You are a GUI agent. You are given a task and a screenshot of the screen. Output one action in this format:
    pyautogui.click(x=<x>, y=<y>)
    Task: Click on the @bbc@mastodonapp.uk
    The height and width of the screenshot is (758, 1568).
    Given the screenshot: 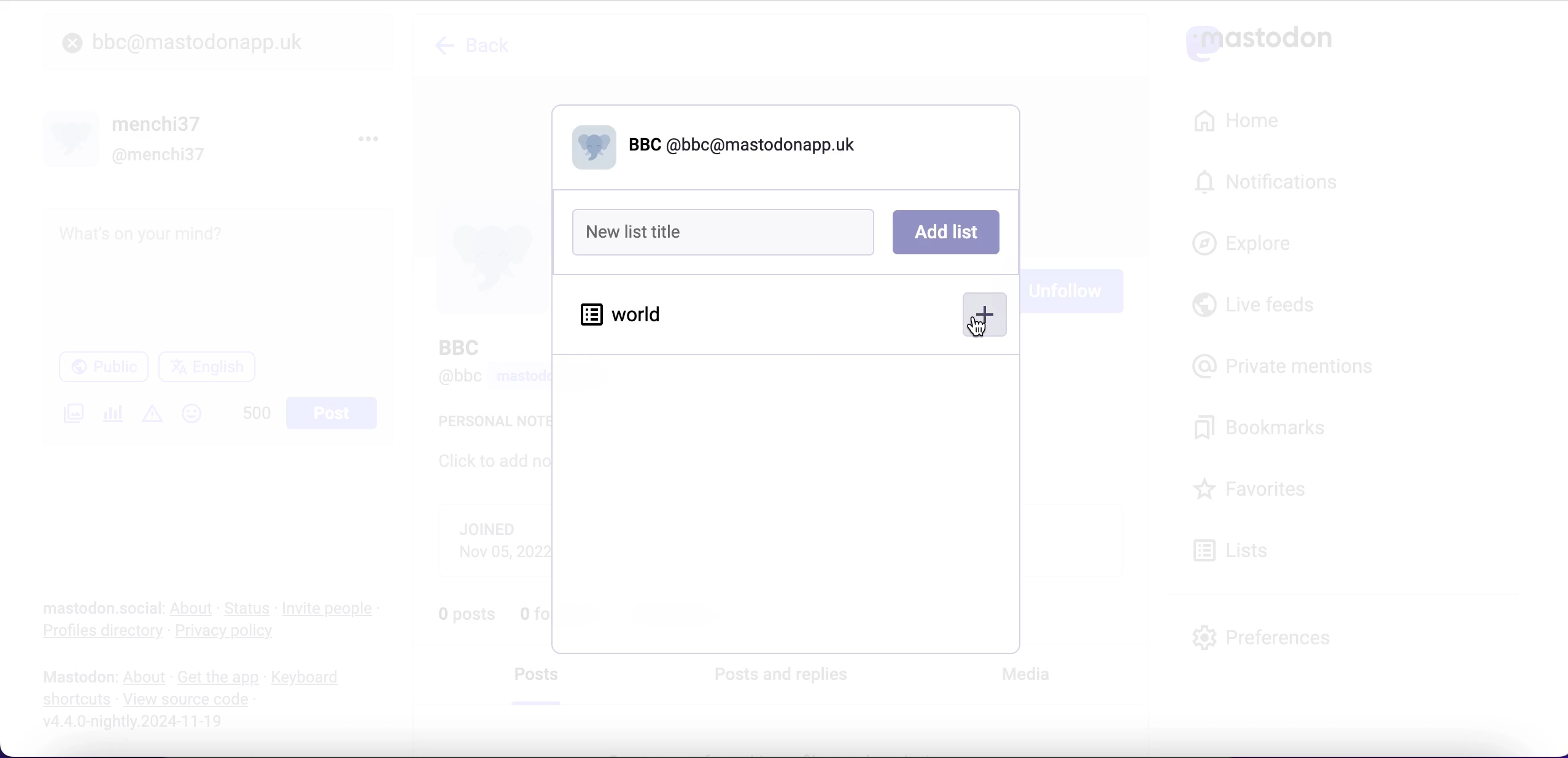 What is the action you would take?
    pyautogui.click(x=715, y=146)
    